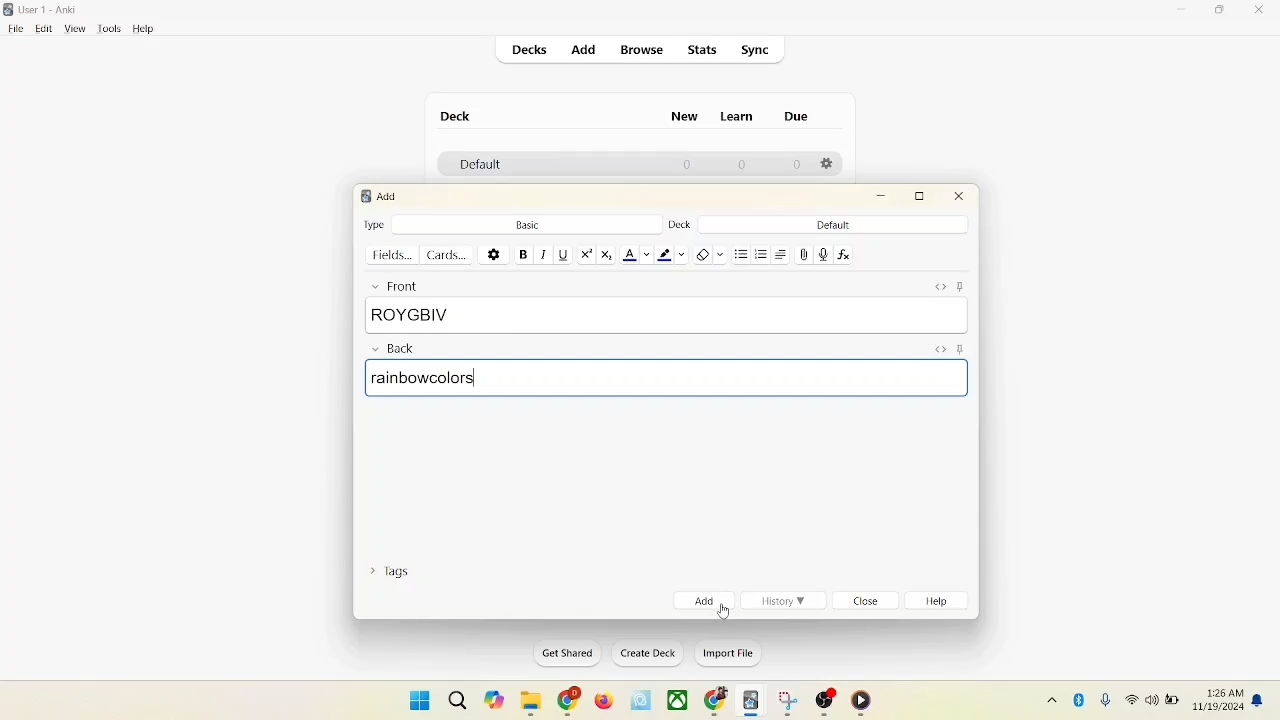 The height and width of the screenshot is (720, 1280). What do you see at coordinates (702, 600) in the screenshot?
I see `add` at bounding box center [702, 600].